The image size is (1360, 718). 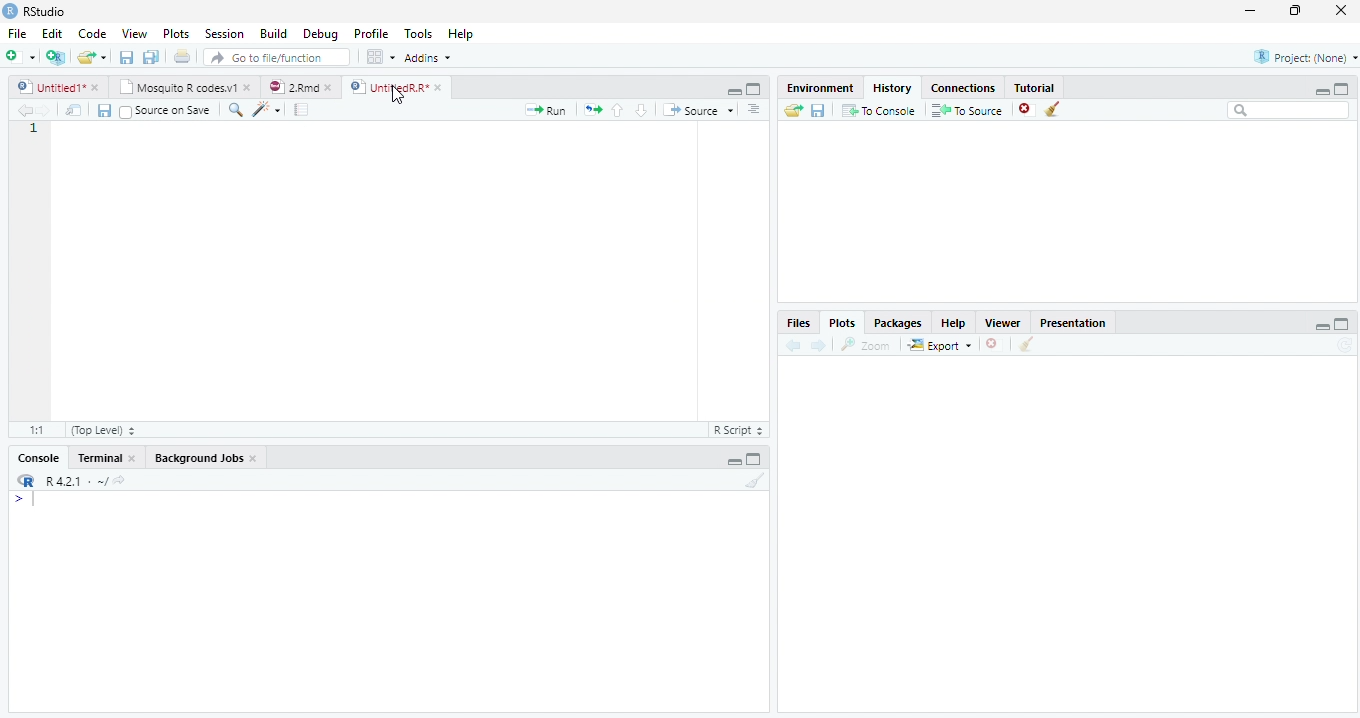 I want to click on Help, so click(x=462, y=33).